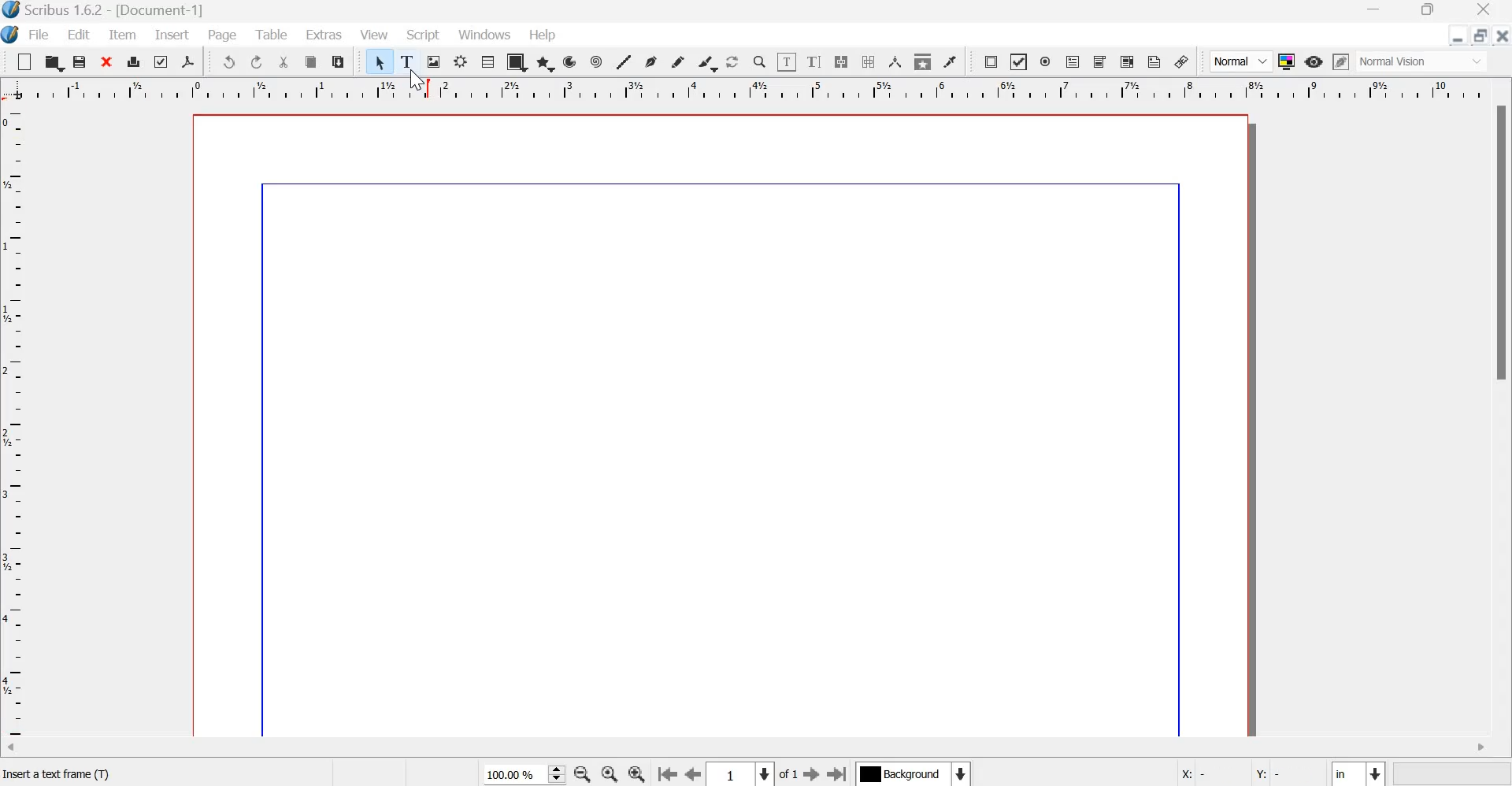  I want to click on , so click(733, 61).